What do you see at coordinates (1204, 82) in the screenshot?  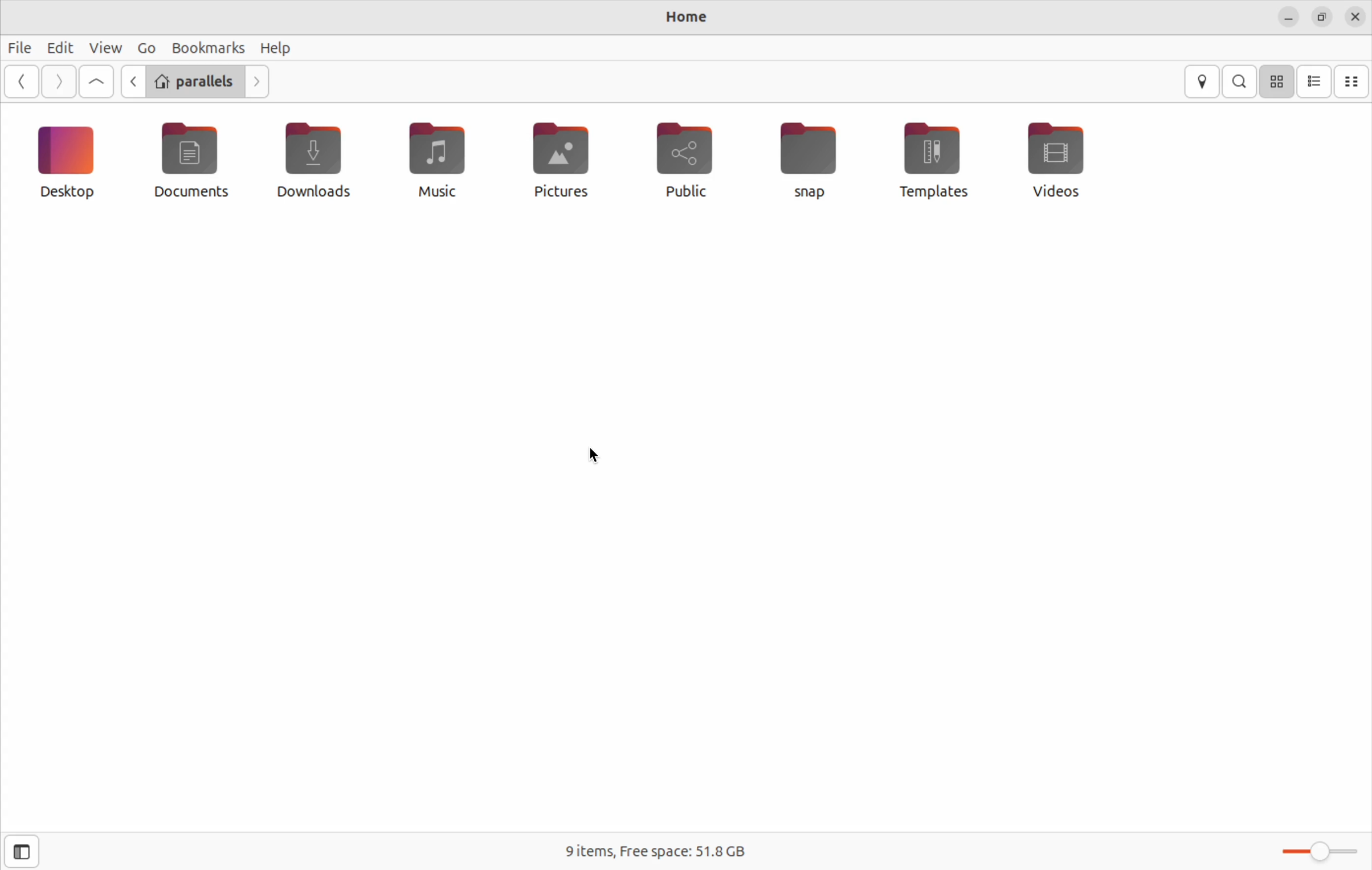 I see `location` at bounding box center [1204, 82].